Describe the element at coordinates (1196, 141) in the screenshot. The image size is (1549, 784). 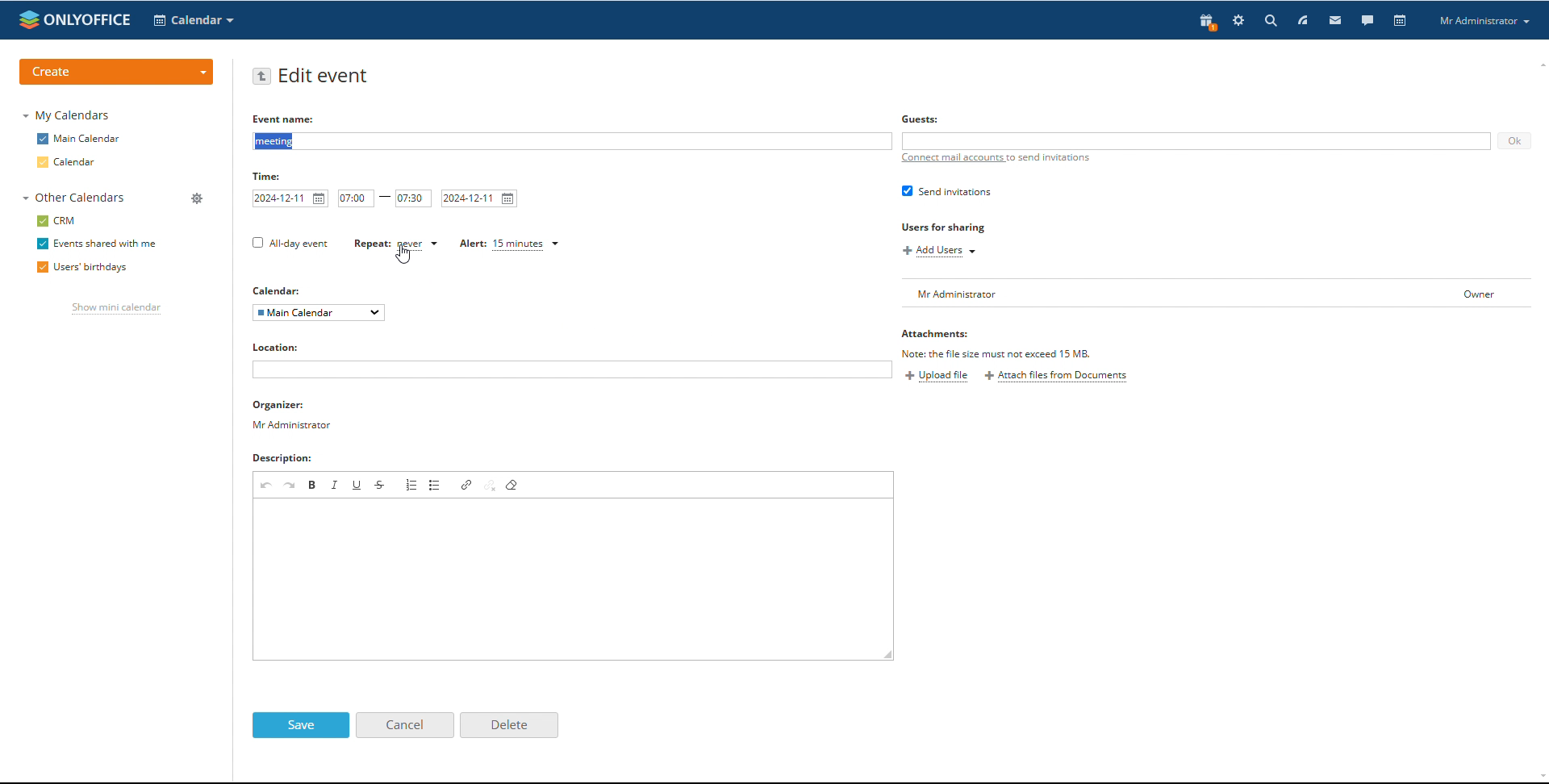
I see `add guests` at that location.